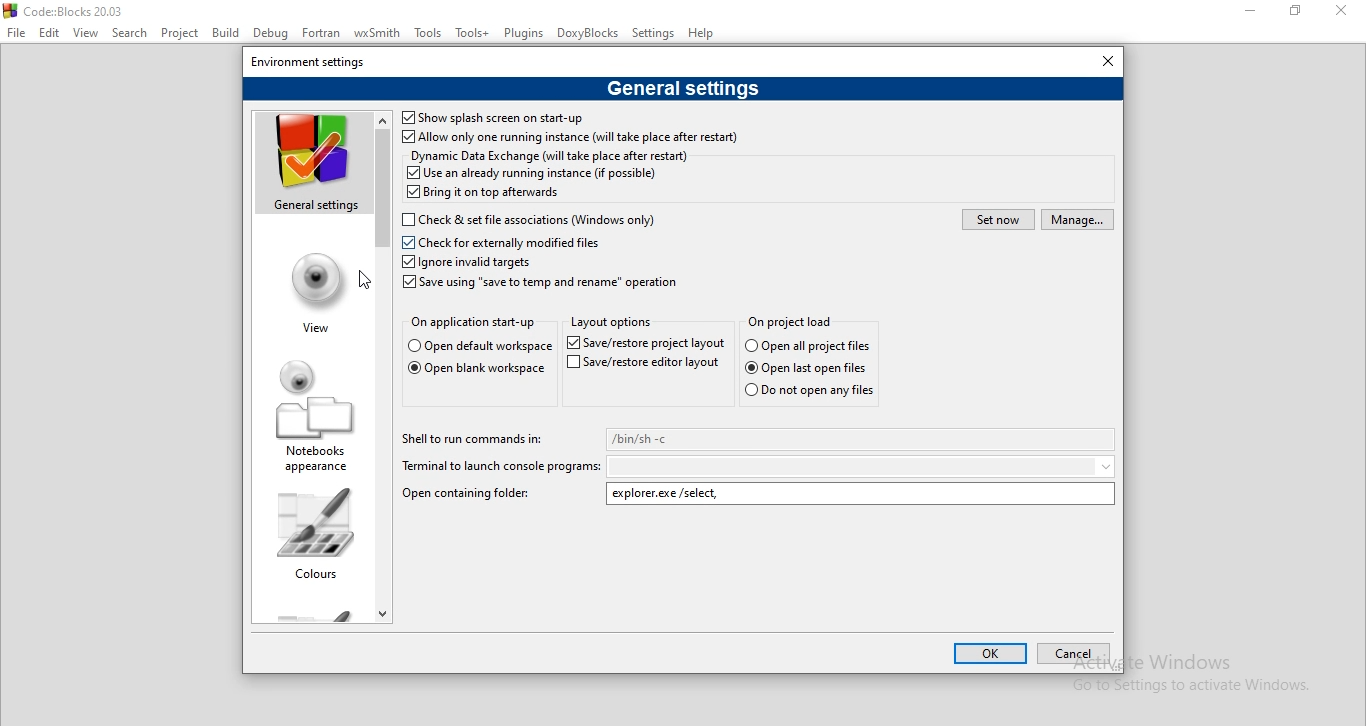 Image resolution: width=1366 pixels, height=726 pixels. Describe the element at coordinates (683, 89) in the screenshot. I see `general settings` at that location.